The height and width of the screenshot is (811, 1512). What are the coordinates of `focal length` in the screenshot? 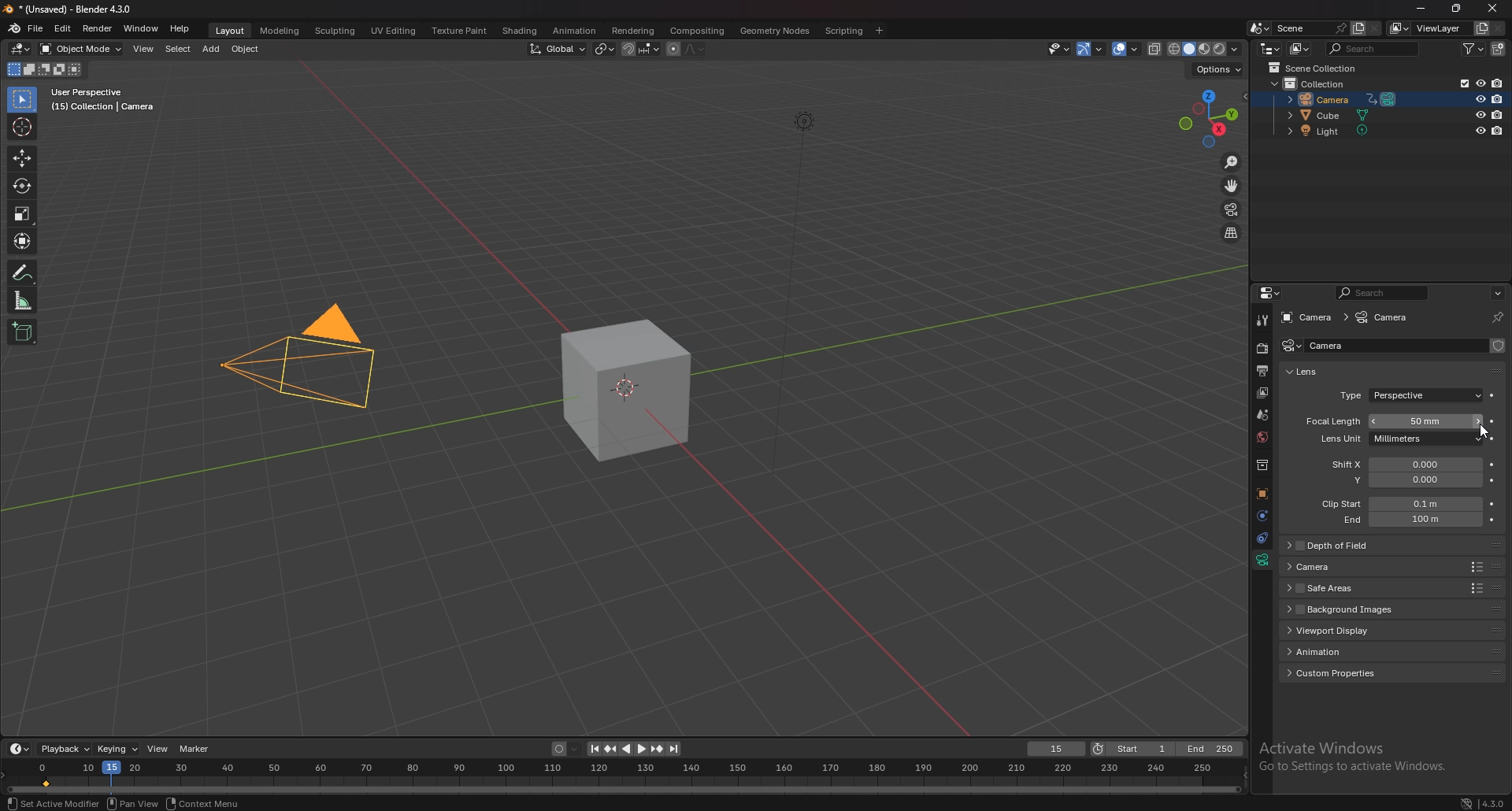 It's located at (1389, 421).